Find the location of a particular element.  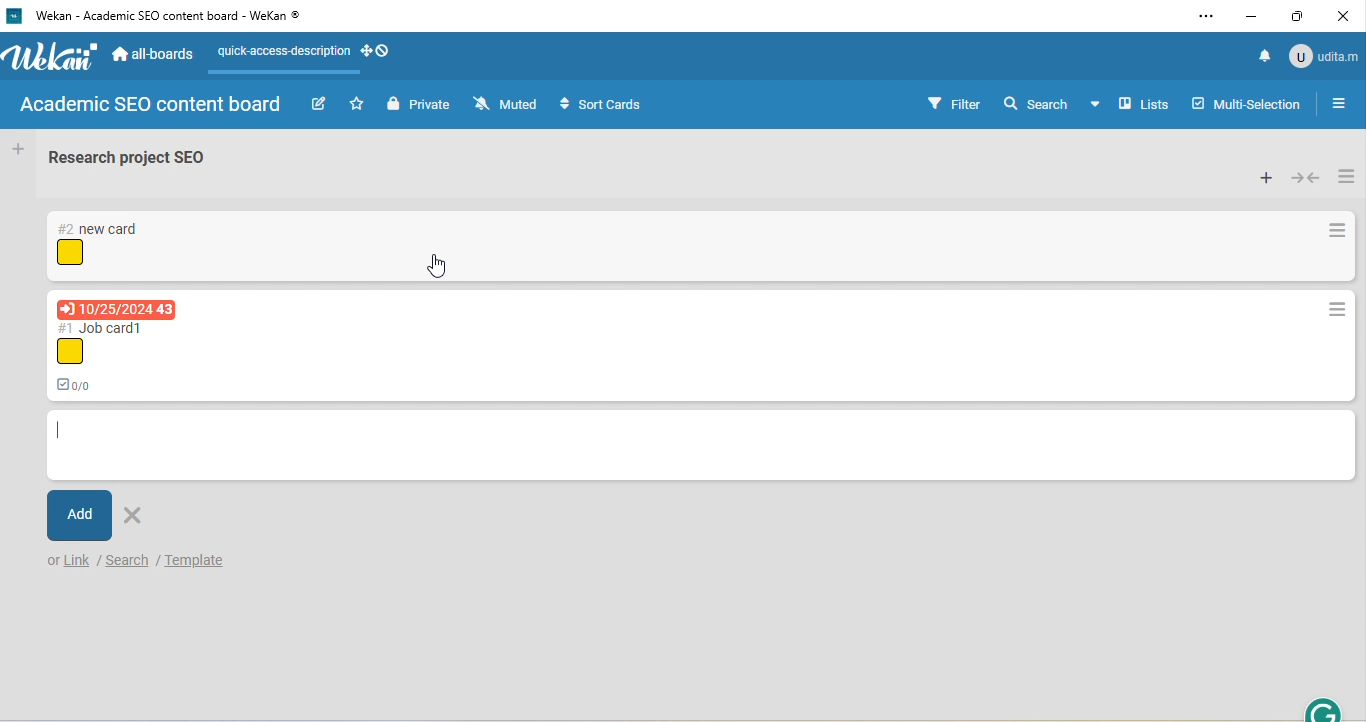

add is located at coordinates (78, 515).